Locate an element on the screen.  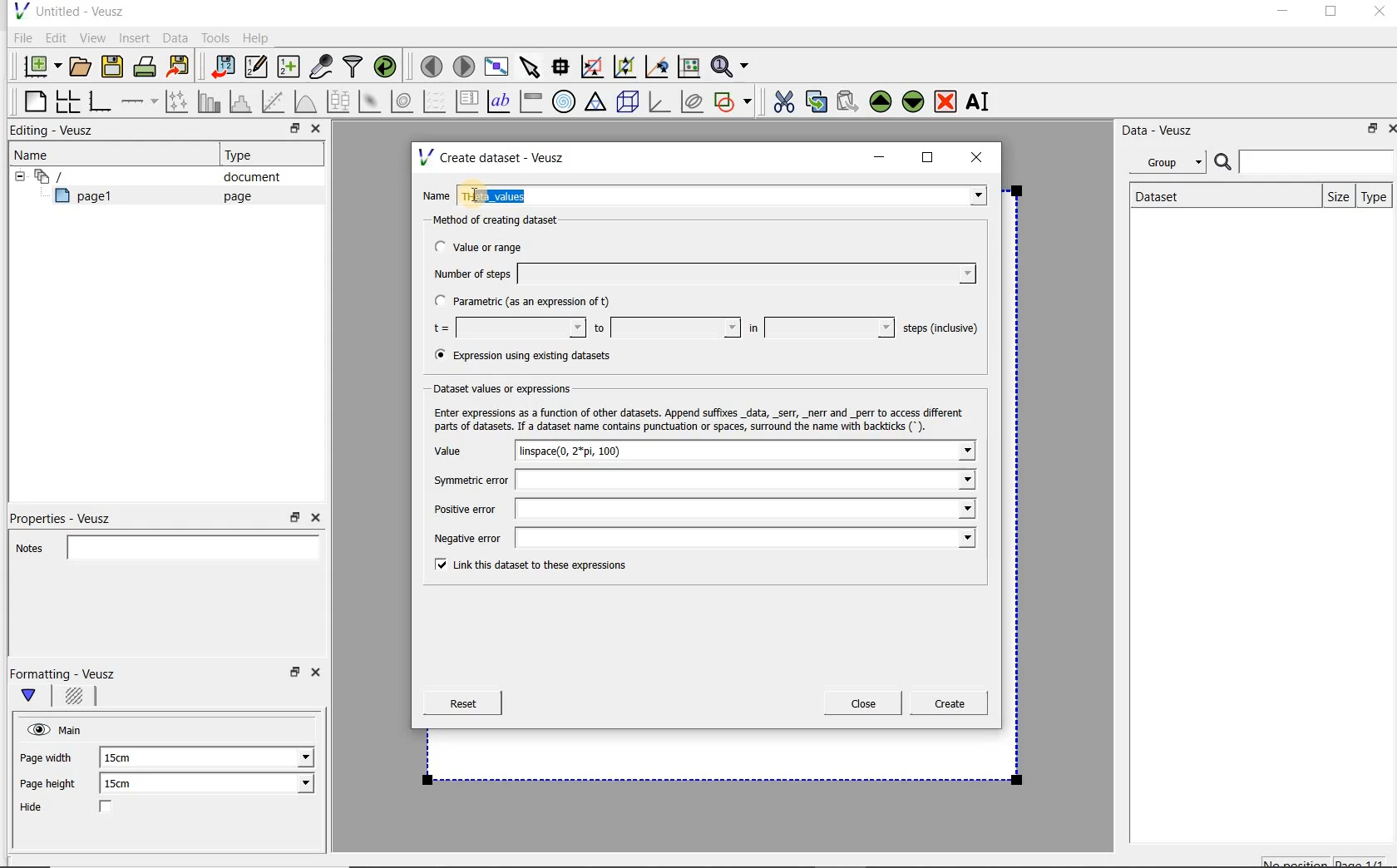
minimize is located at coordinates (880, 157).